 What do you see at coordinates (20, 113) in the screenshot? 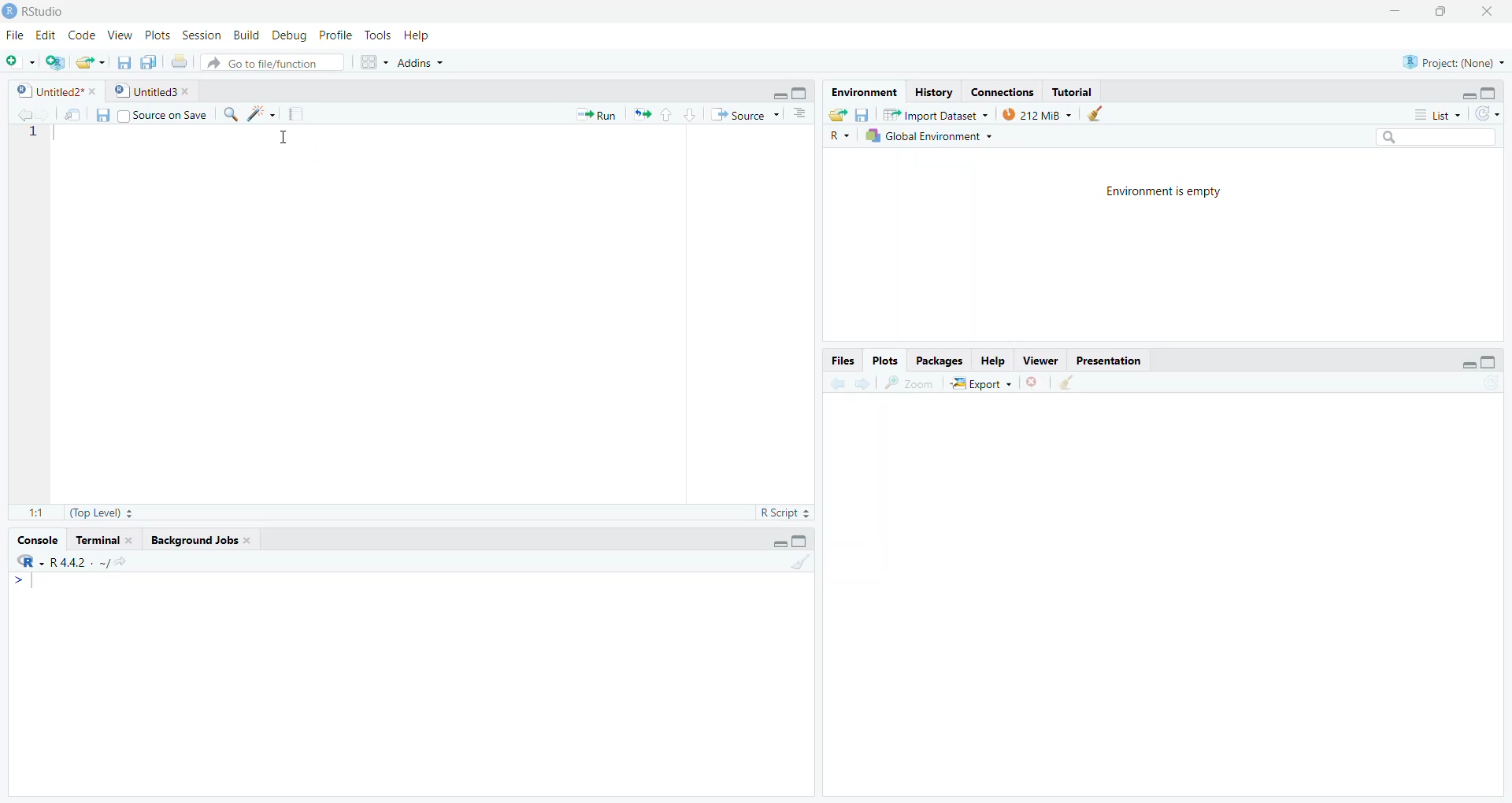
I see `previous` at bounding box center [20, 113].